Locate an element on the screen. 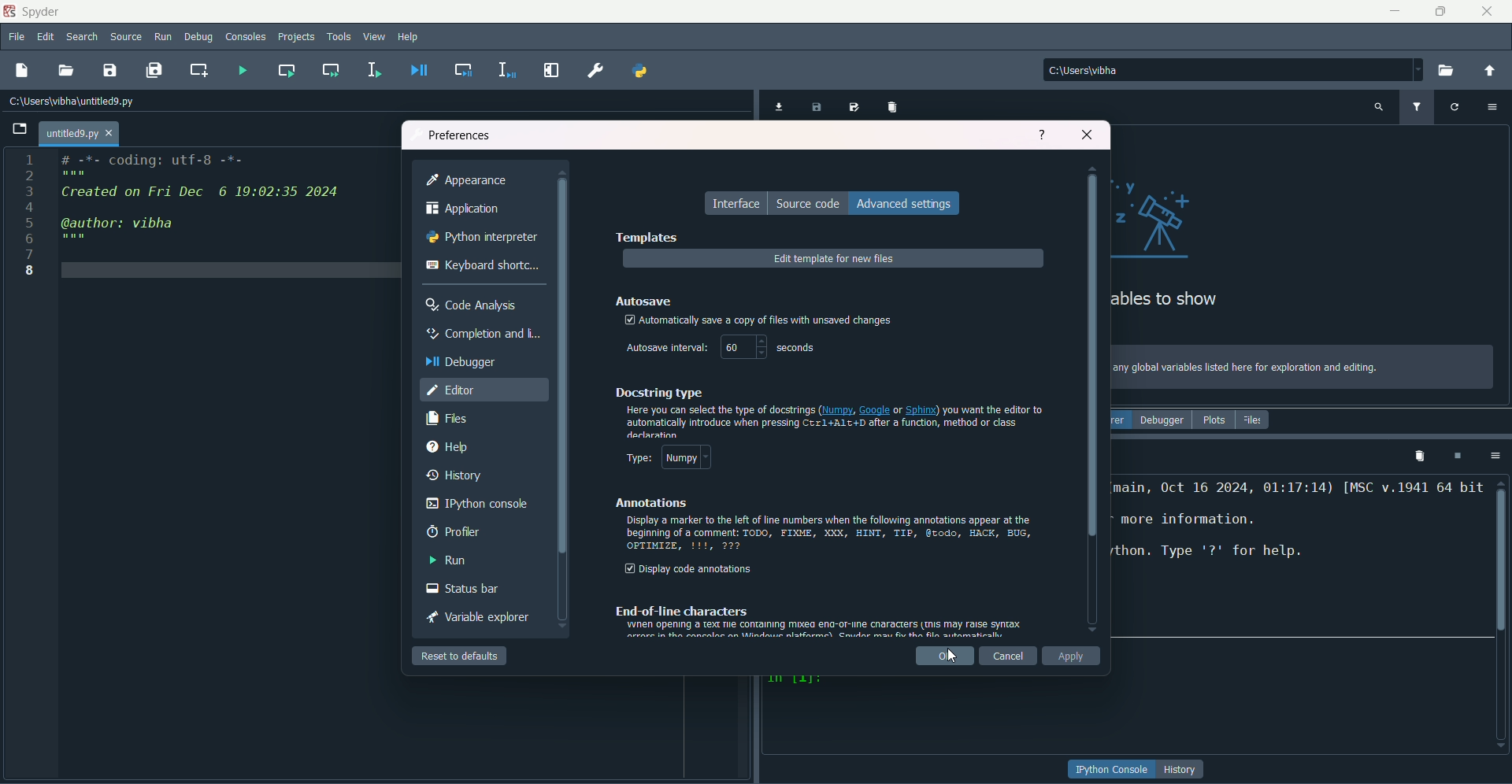 The image size is (1512, 784). scrollbar is located at coordinates (1092, 376).